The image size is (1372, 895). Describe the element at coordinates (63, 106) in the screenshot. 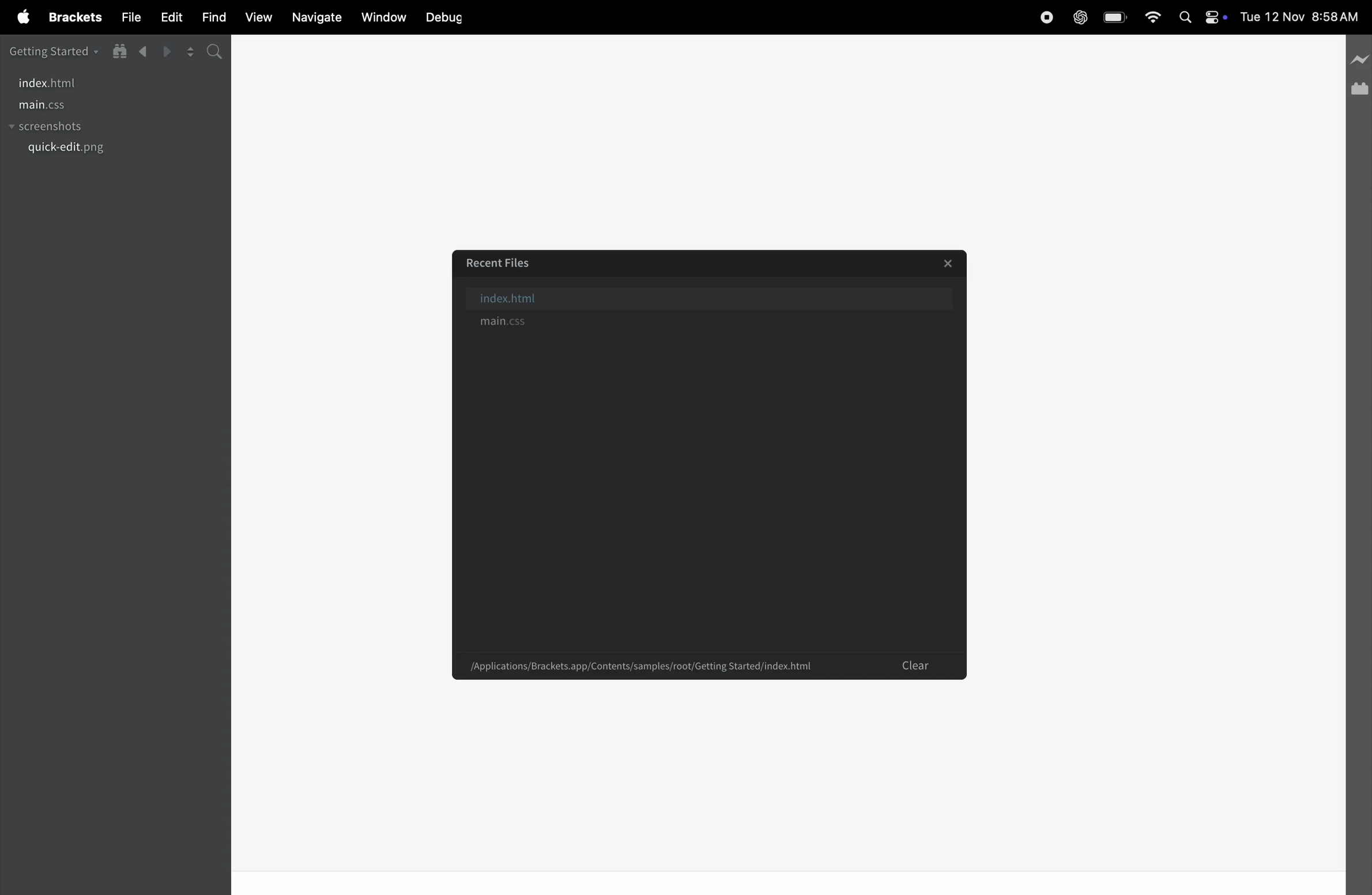

I see `main .css` at that location.